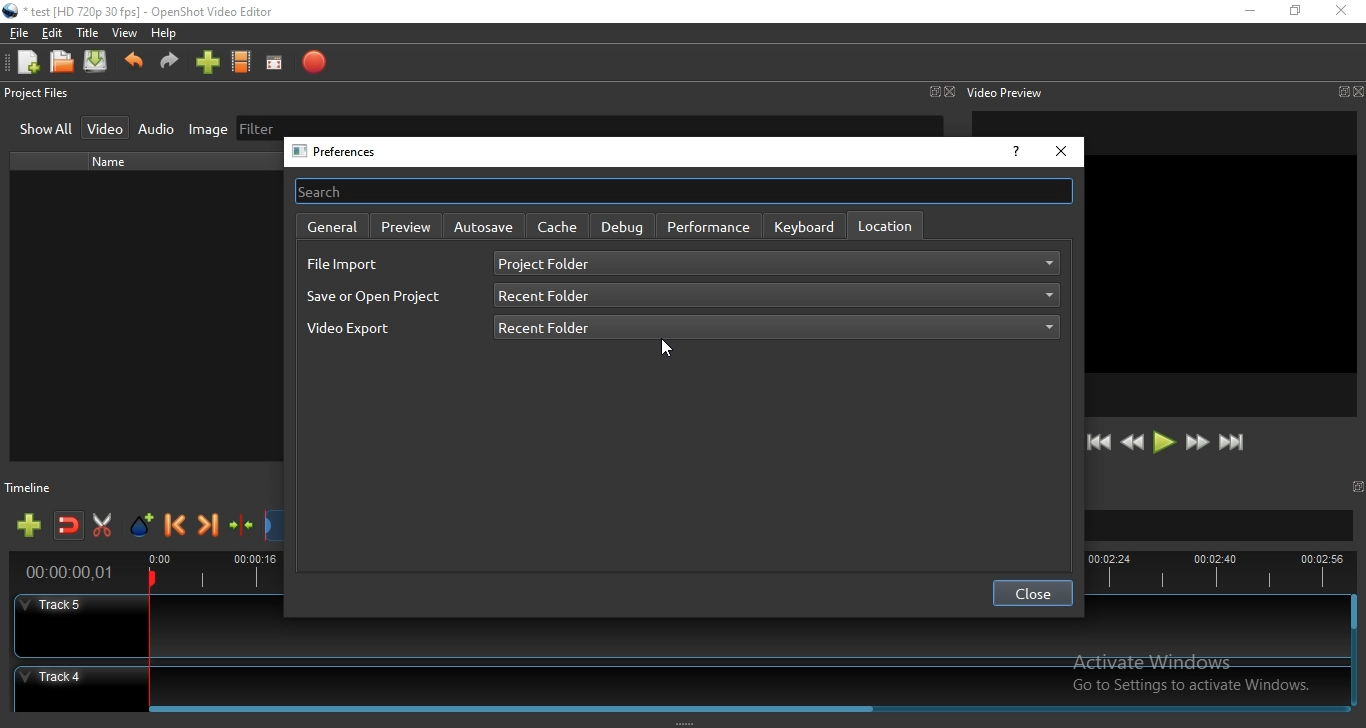 Image resolution: width=1366 pixels, height=728 pixels. What do you see at coordinates (116, 162) in the screenshot?
I see `name` at bounding box center [116, 162].